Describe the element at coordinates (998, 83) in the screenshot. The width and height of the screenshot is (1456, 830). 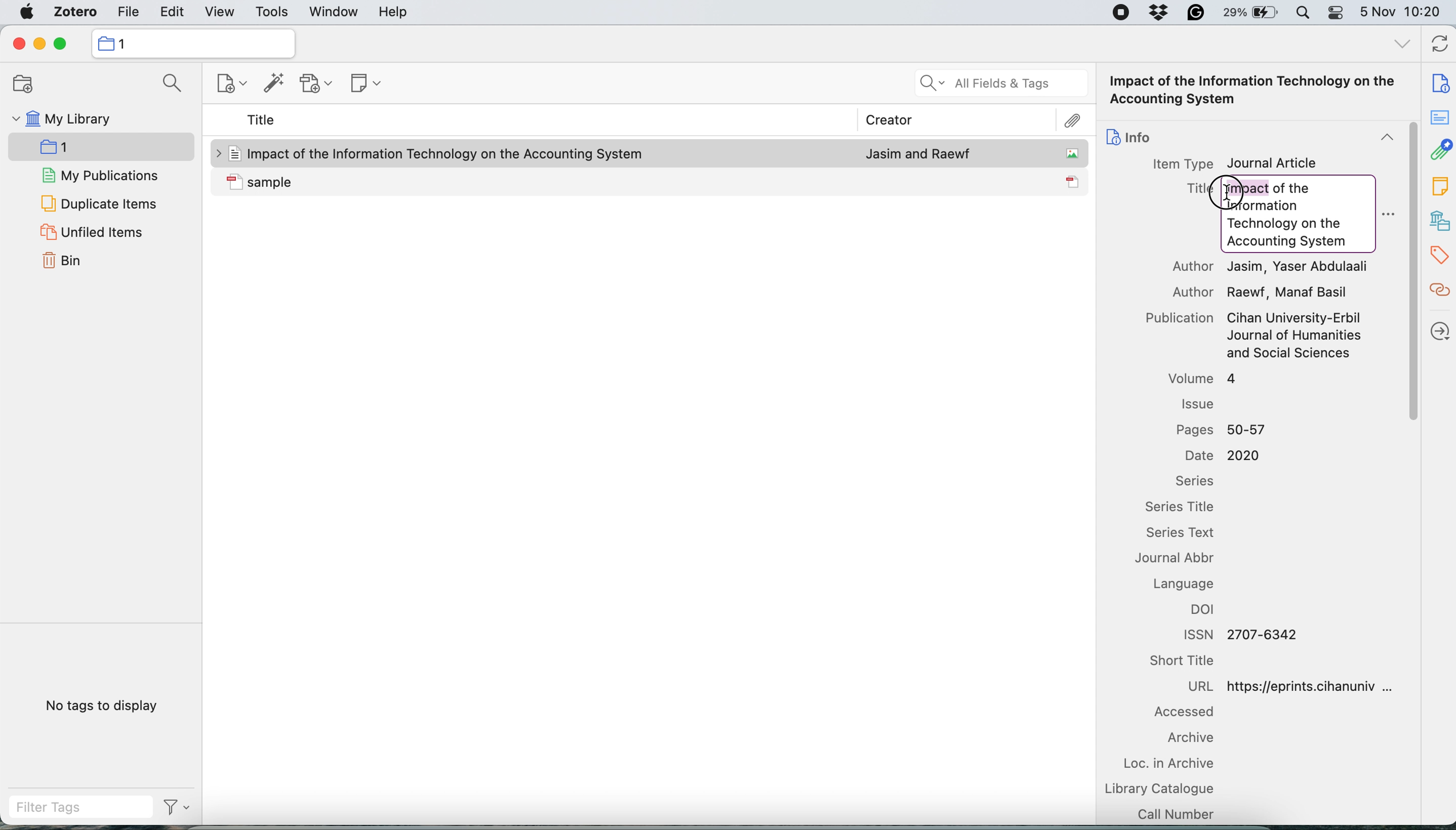
I see `all fields and tags` at that location.